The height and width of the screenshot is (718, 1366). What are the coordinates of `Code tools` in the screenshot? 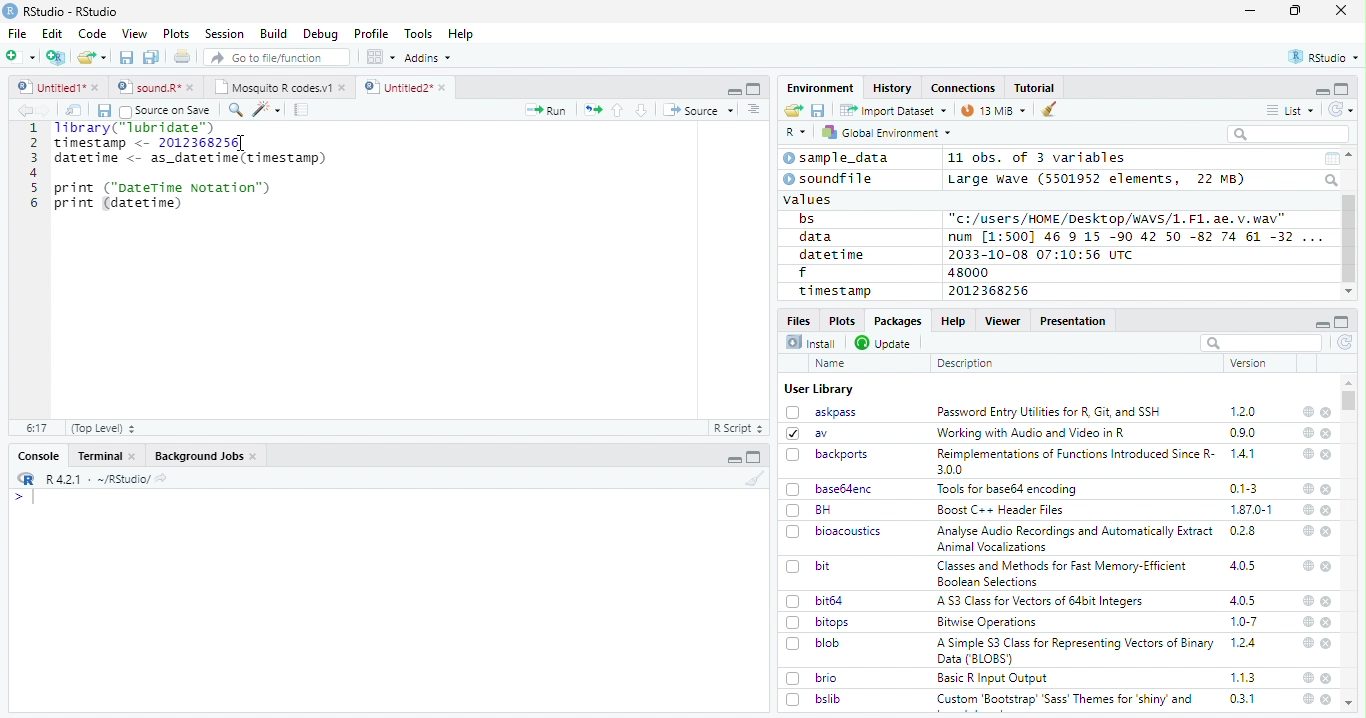 It's located at (265, 109).